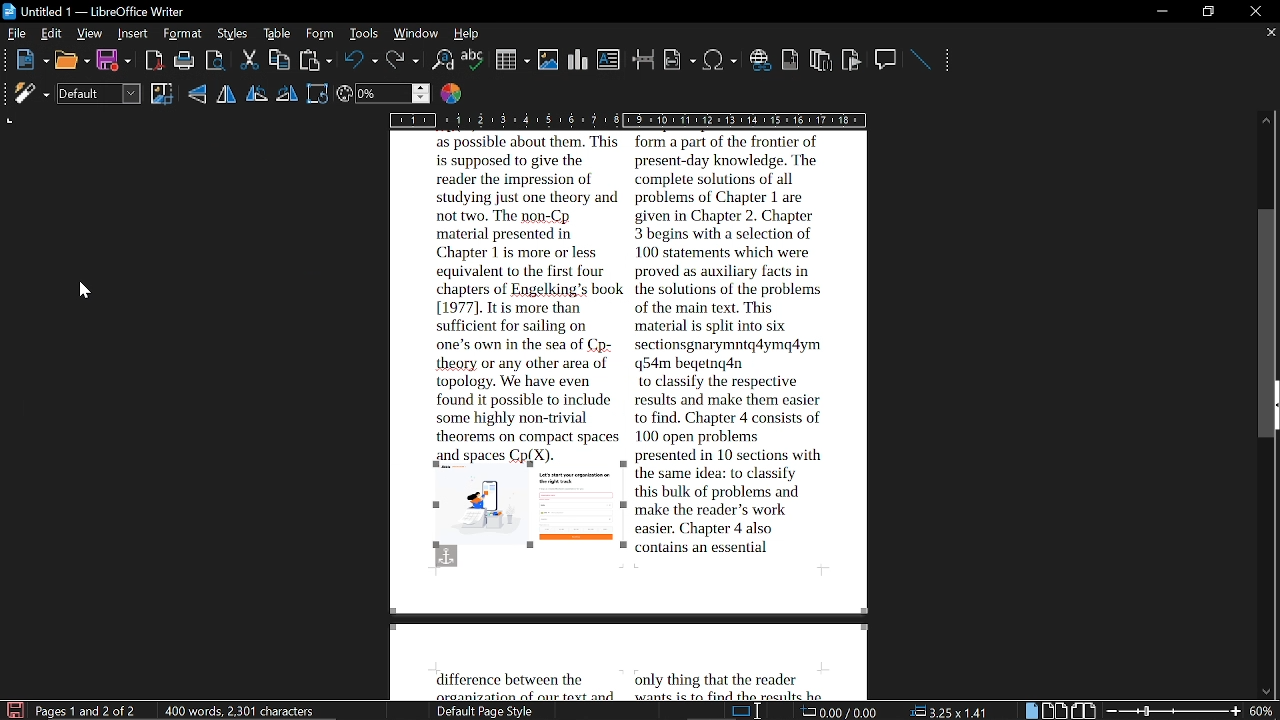 This screenshot has width=1280, height=720. What do you see at coordinates (1266, 121) in the screenshot?
I see `move up` at bounding box center [1266, 121].